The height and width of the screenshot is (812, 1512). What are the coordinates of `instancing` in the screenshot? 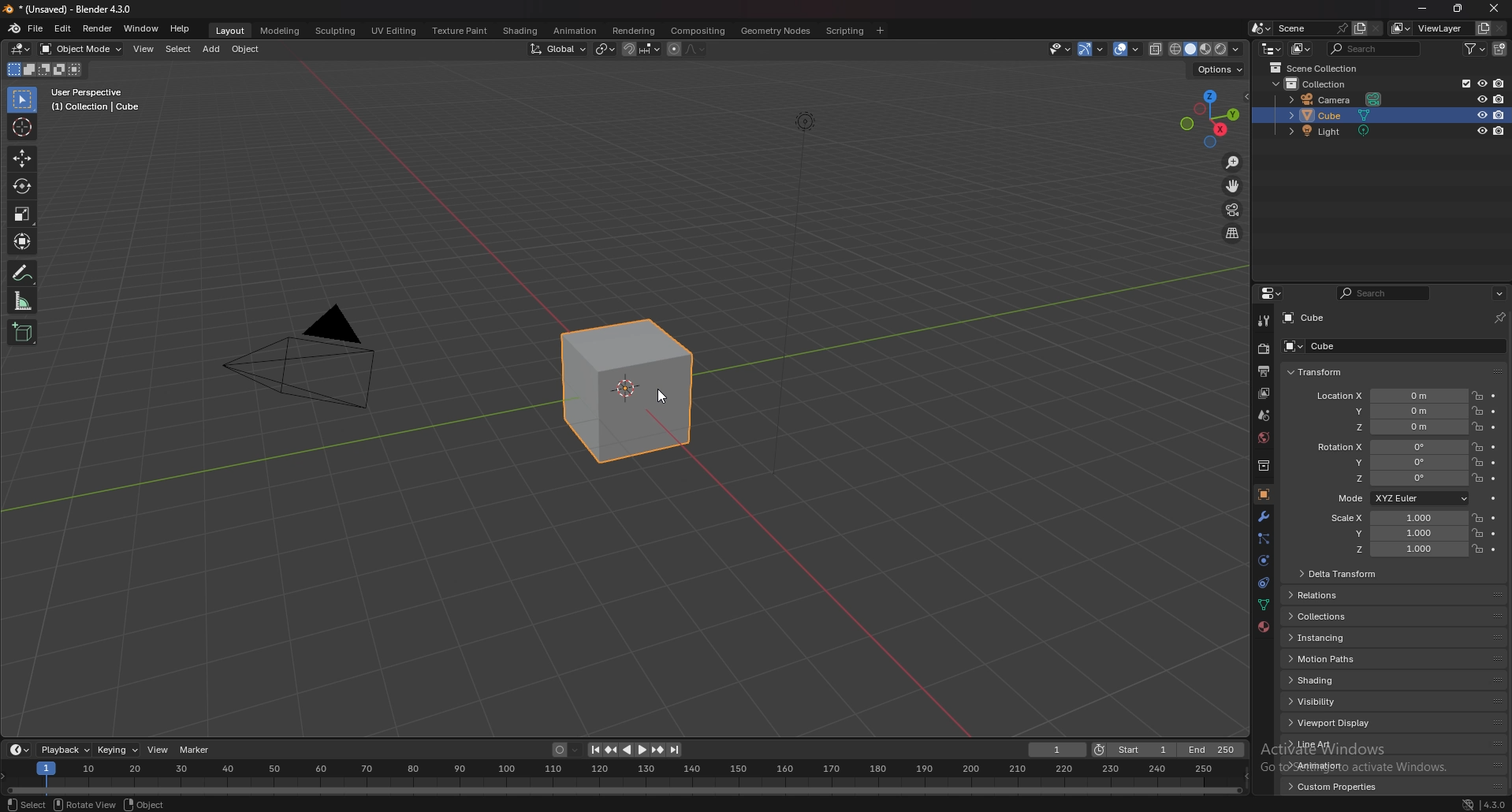 It's located at (1350, 637).